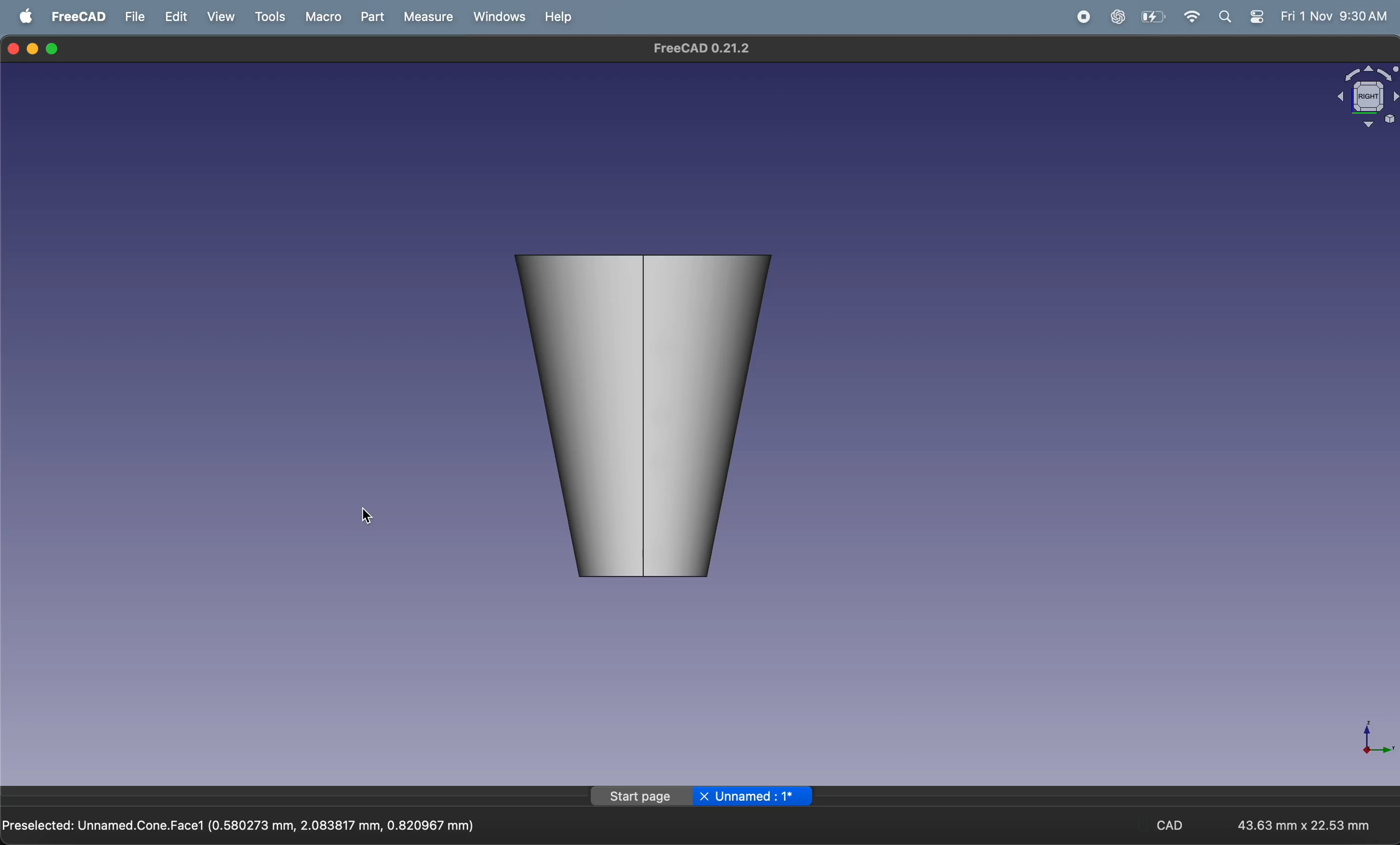 The width and height of the screenshot is (1400, 845). What do you see at coordinates (1333, 16) in the screenshot?
I see `Fri 1 Nov 9:30 AM` at bounding box center [1333, 16].